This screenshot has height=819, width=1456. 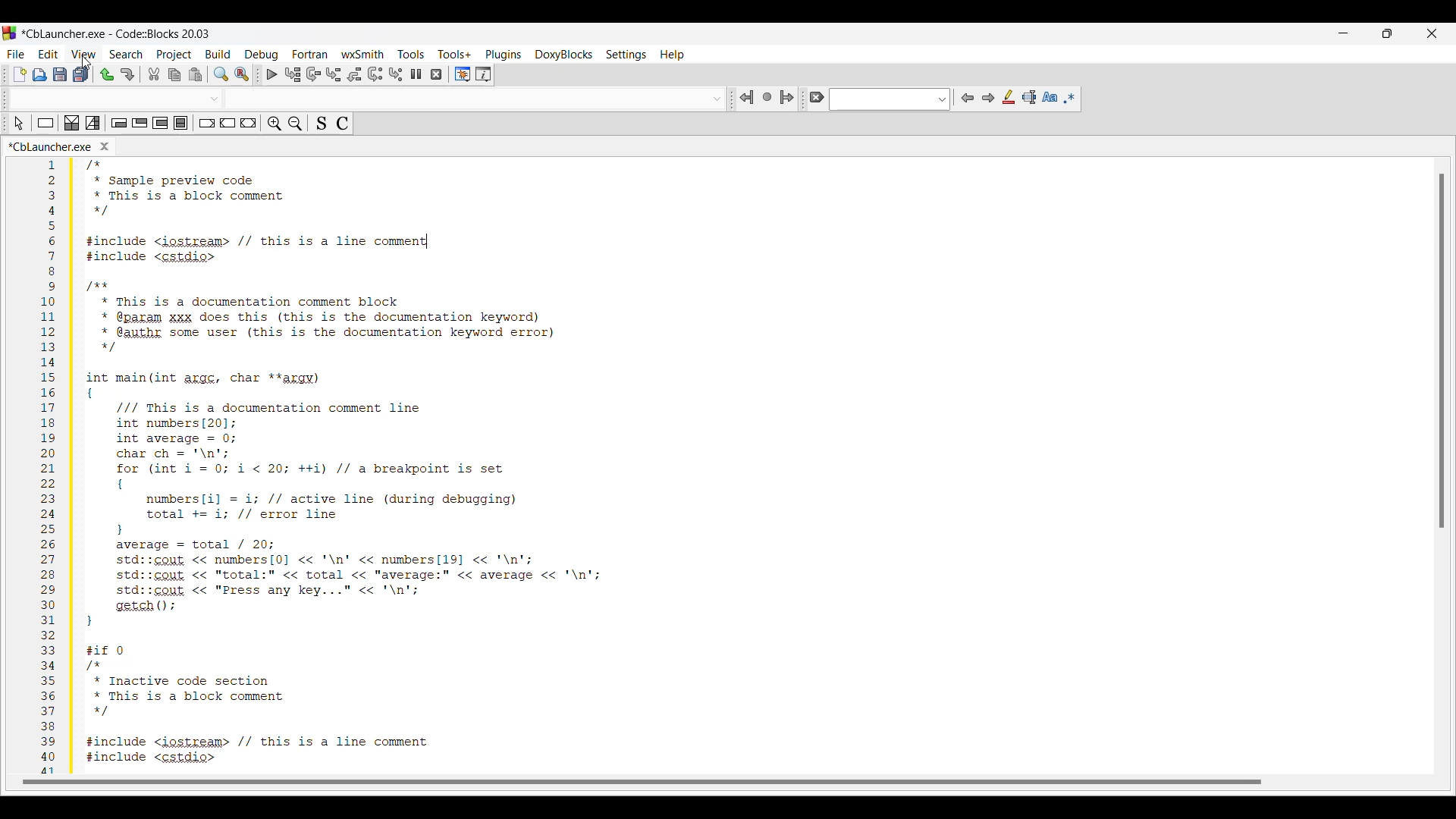 What do you see at coordinates (10, 33) in the screenshot?
I see `Software logo` at bounding box center [10, 33].